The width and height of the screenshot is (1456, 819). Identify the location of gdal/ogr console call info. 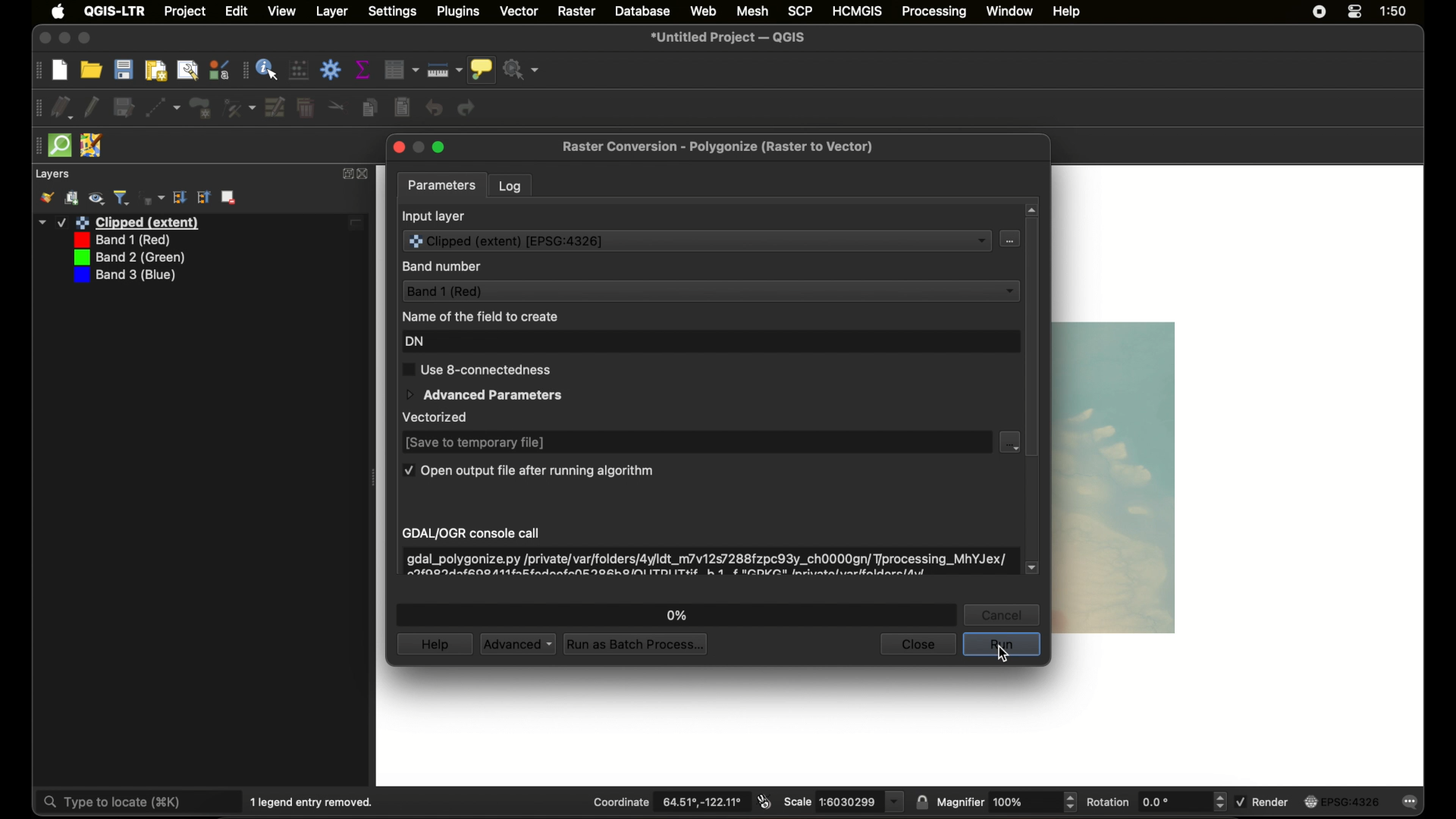
(706, 563).